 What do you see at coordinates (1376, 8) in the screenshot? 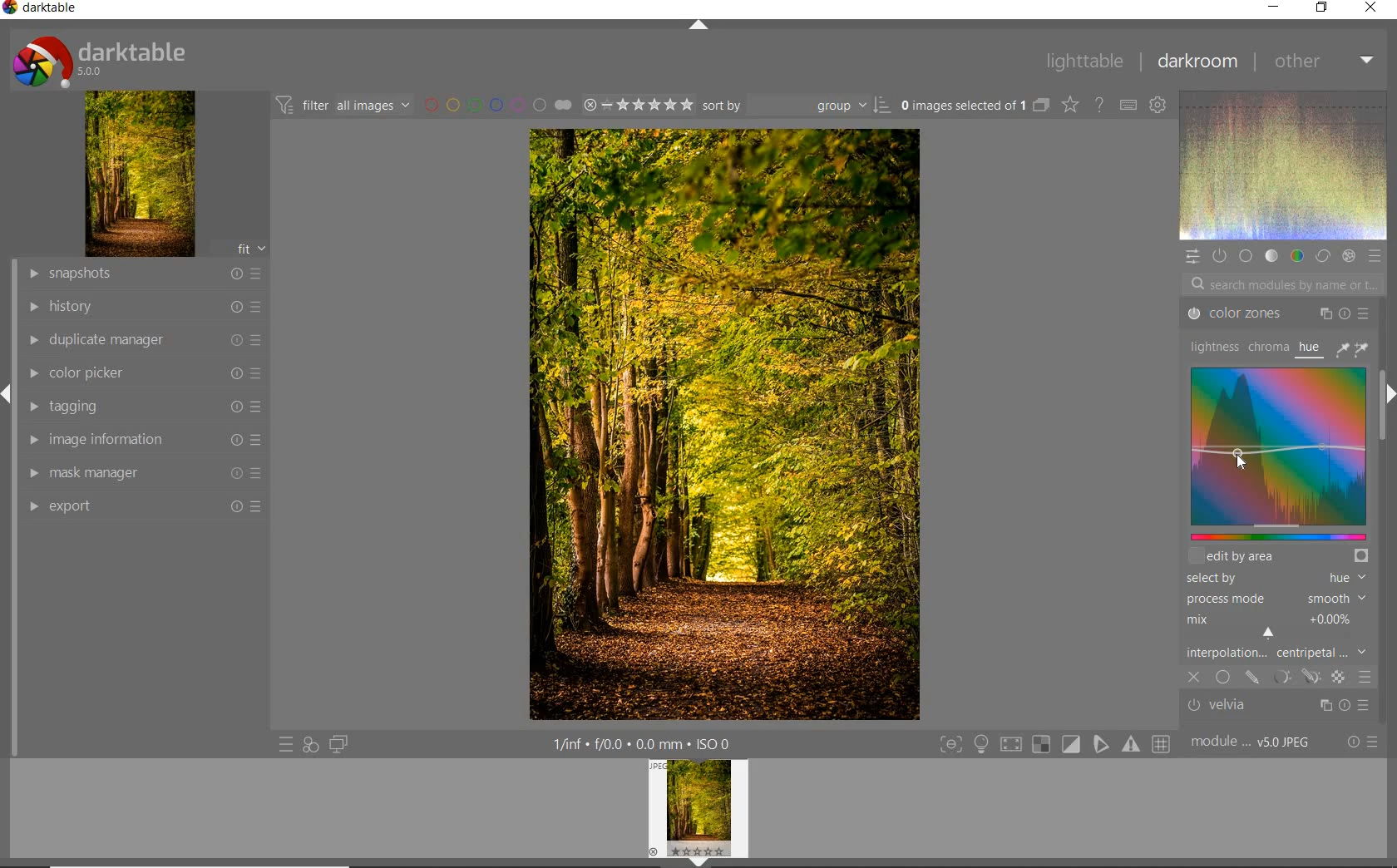
I see `CLOSE` at bounding box center [1376, 8].